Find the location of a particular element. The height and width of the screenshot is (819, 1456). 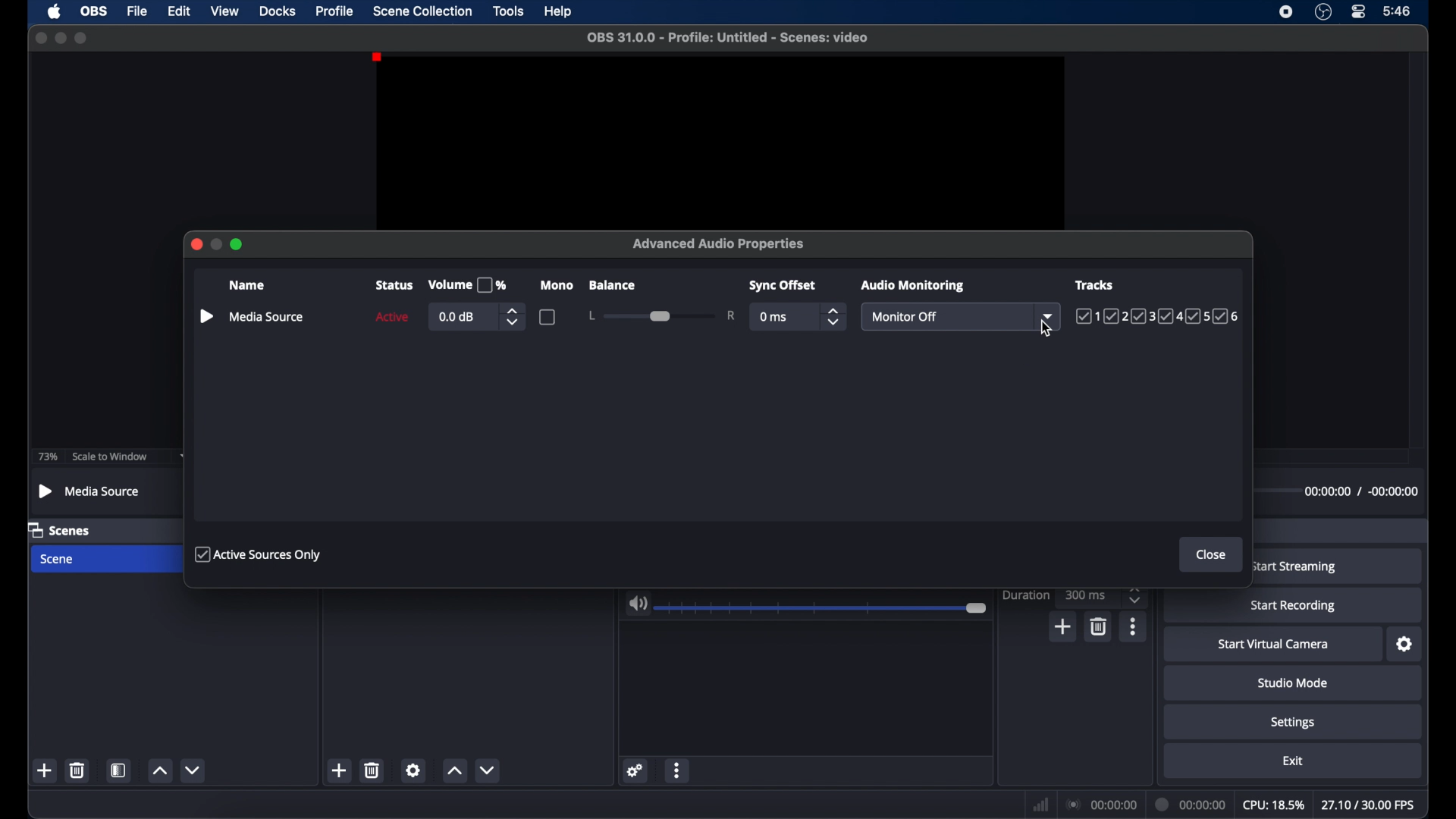

view is located at coordinates (224, 11).